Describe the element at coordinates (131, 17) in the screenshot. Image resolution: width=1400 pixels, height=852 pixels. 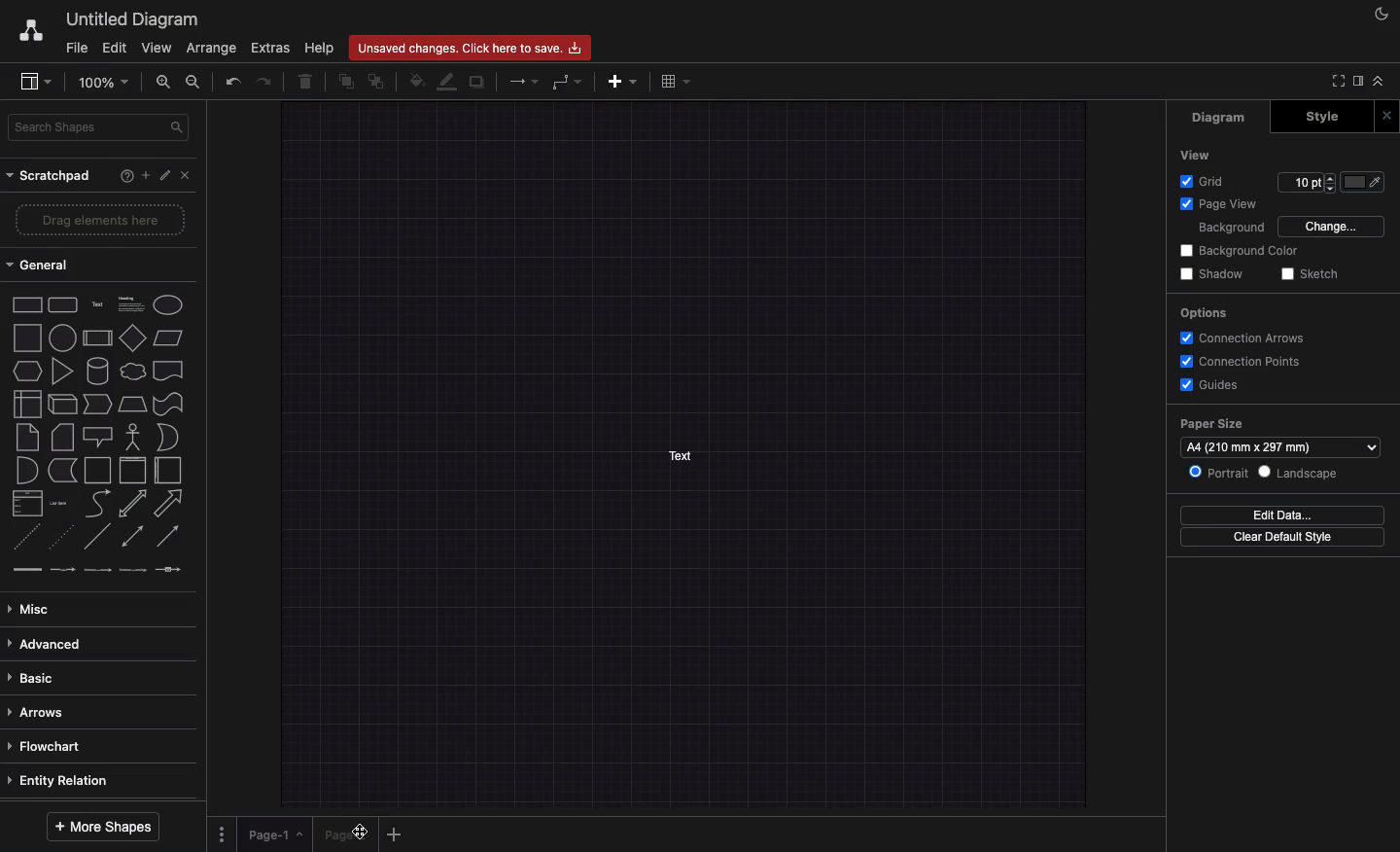
I see `Untitled diagram` at that location.